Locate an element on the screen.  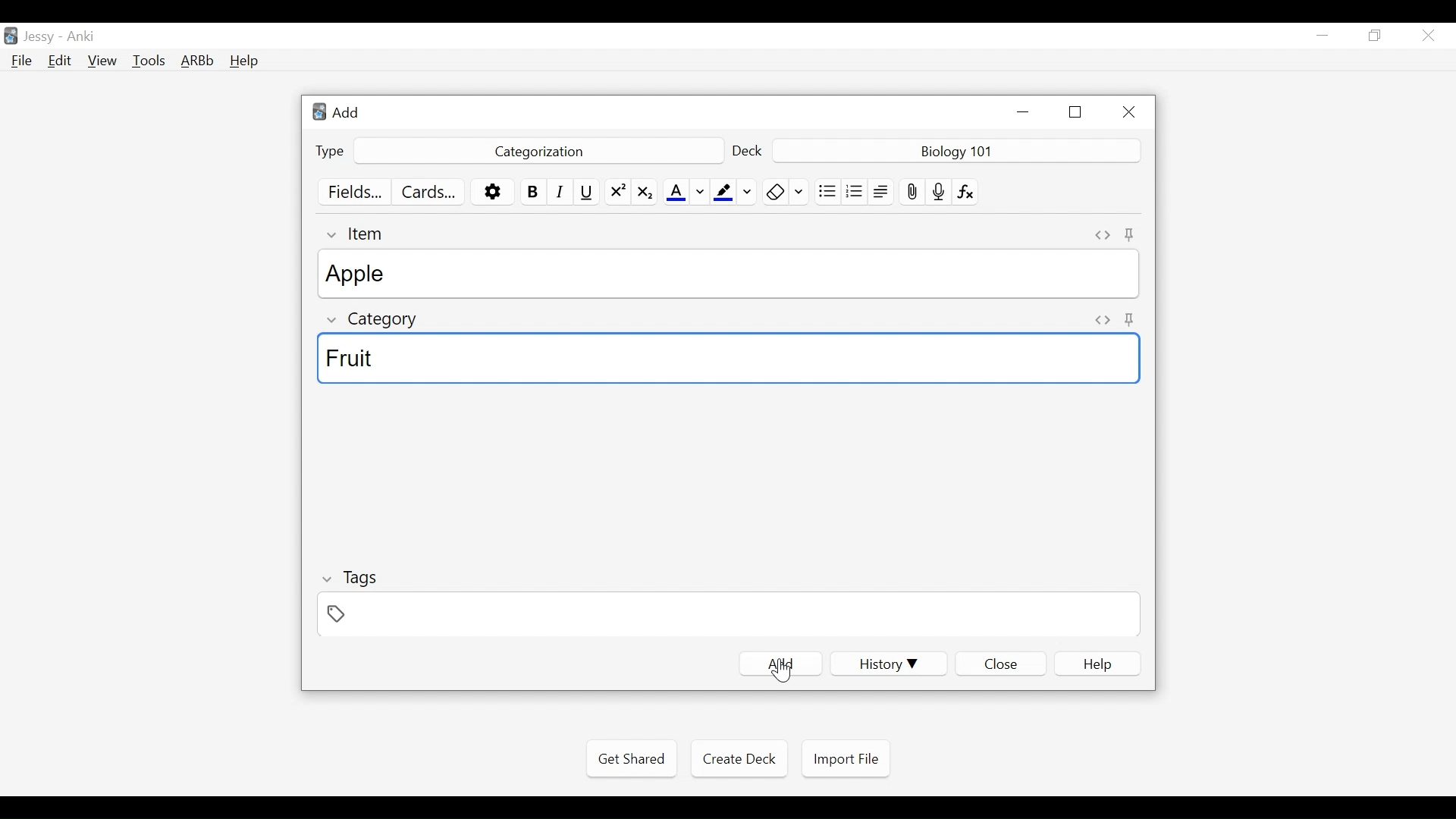
Get Shared is located at coordinates (631, 759).